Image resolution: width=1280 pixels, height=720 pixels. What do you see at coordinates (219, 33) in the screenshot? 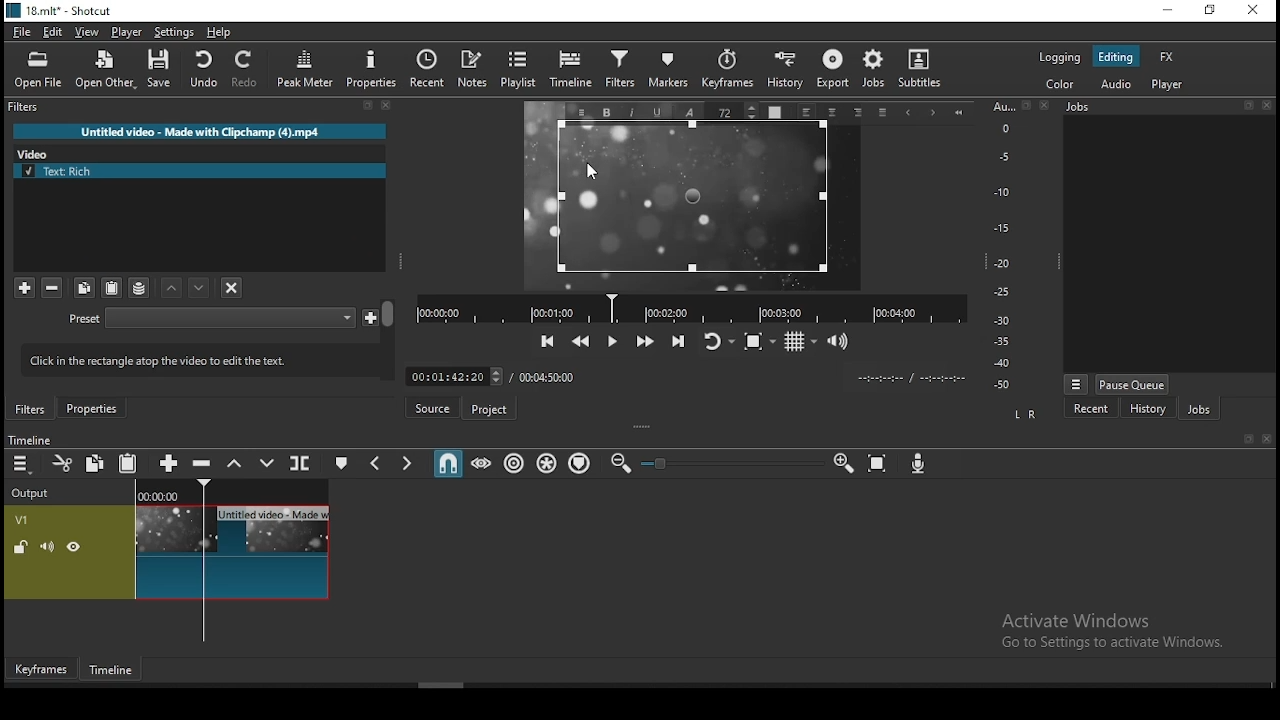
I see `help` at bounding box center [219, 33].